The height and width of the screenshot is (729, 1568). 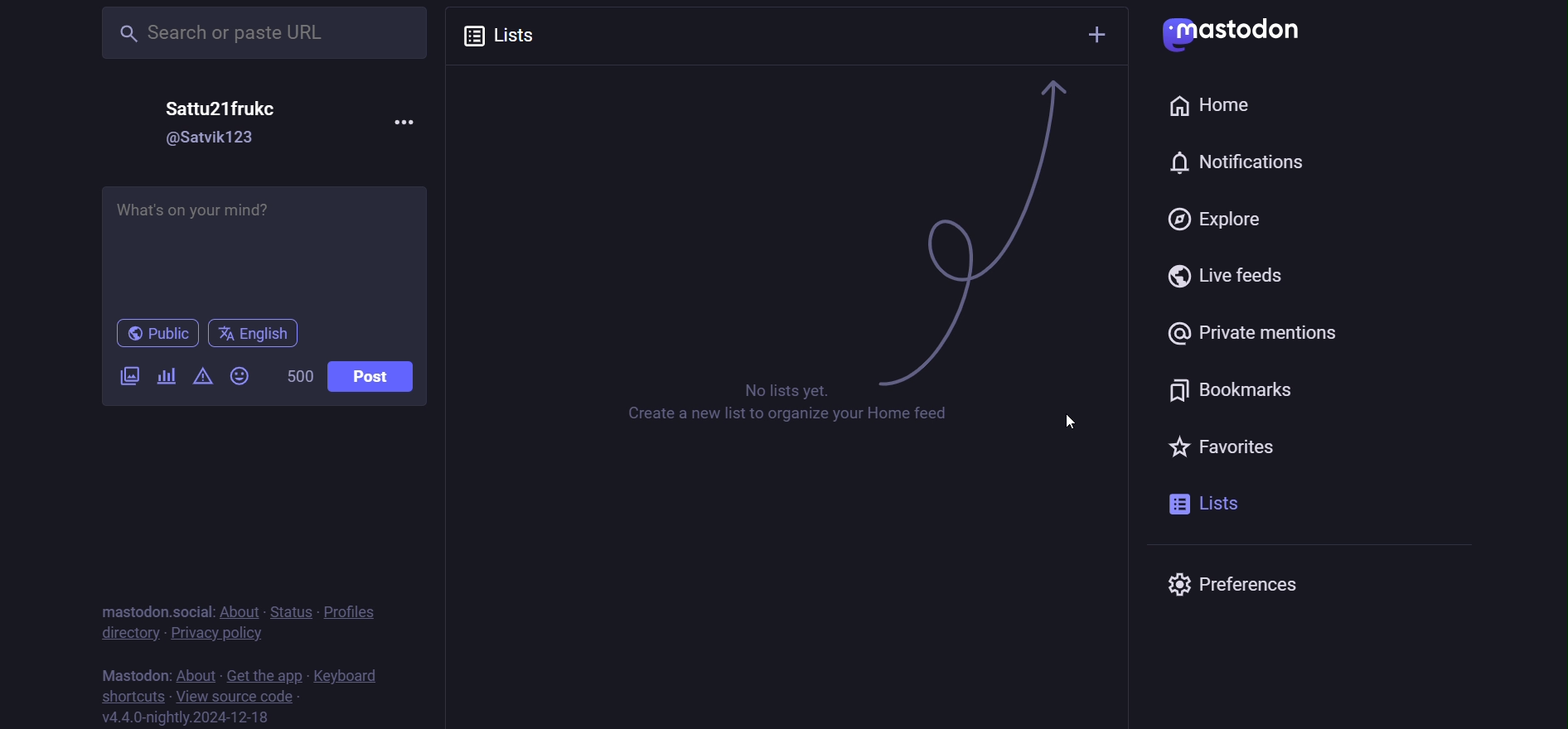 I want to click on image/video, so click(x=128, y=374).